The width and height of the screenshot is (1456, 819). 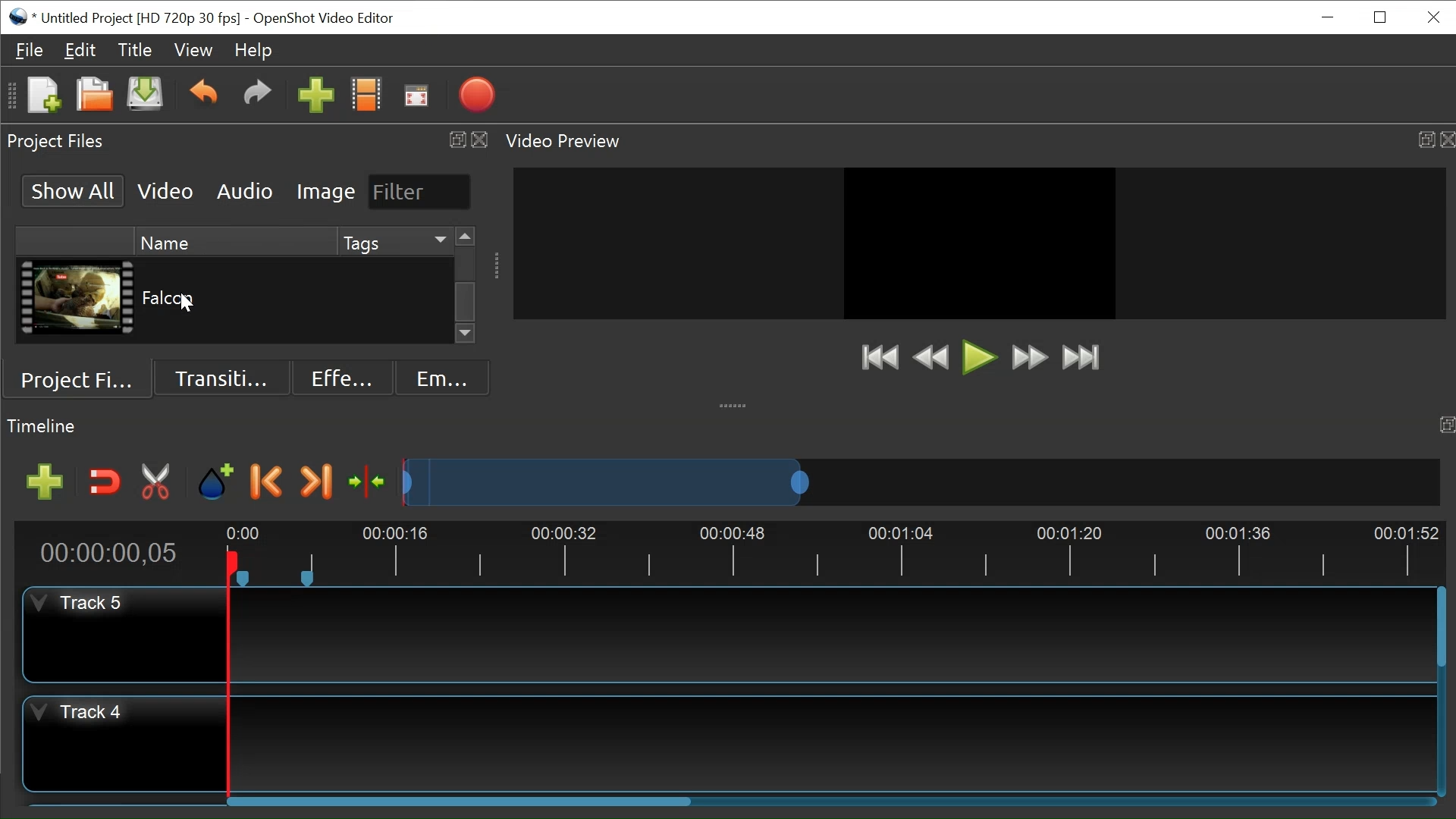 I want to click on Timeline, so click(x=836, y=551).